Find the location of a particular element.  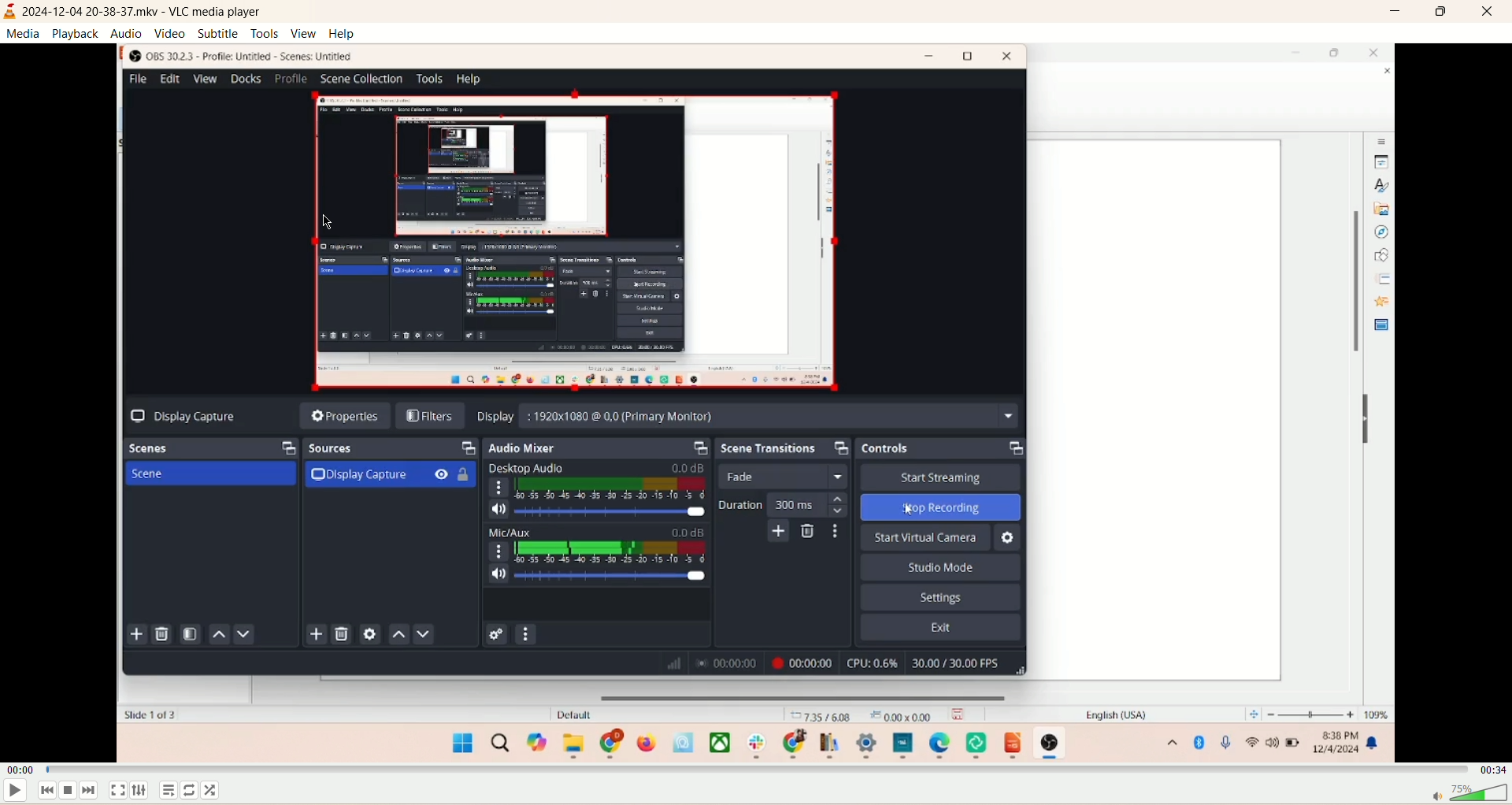

cursor is located at coordinates (328, 223).